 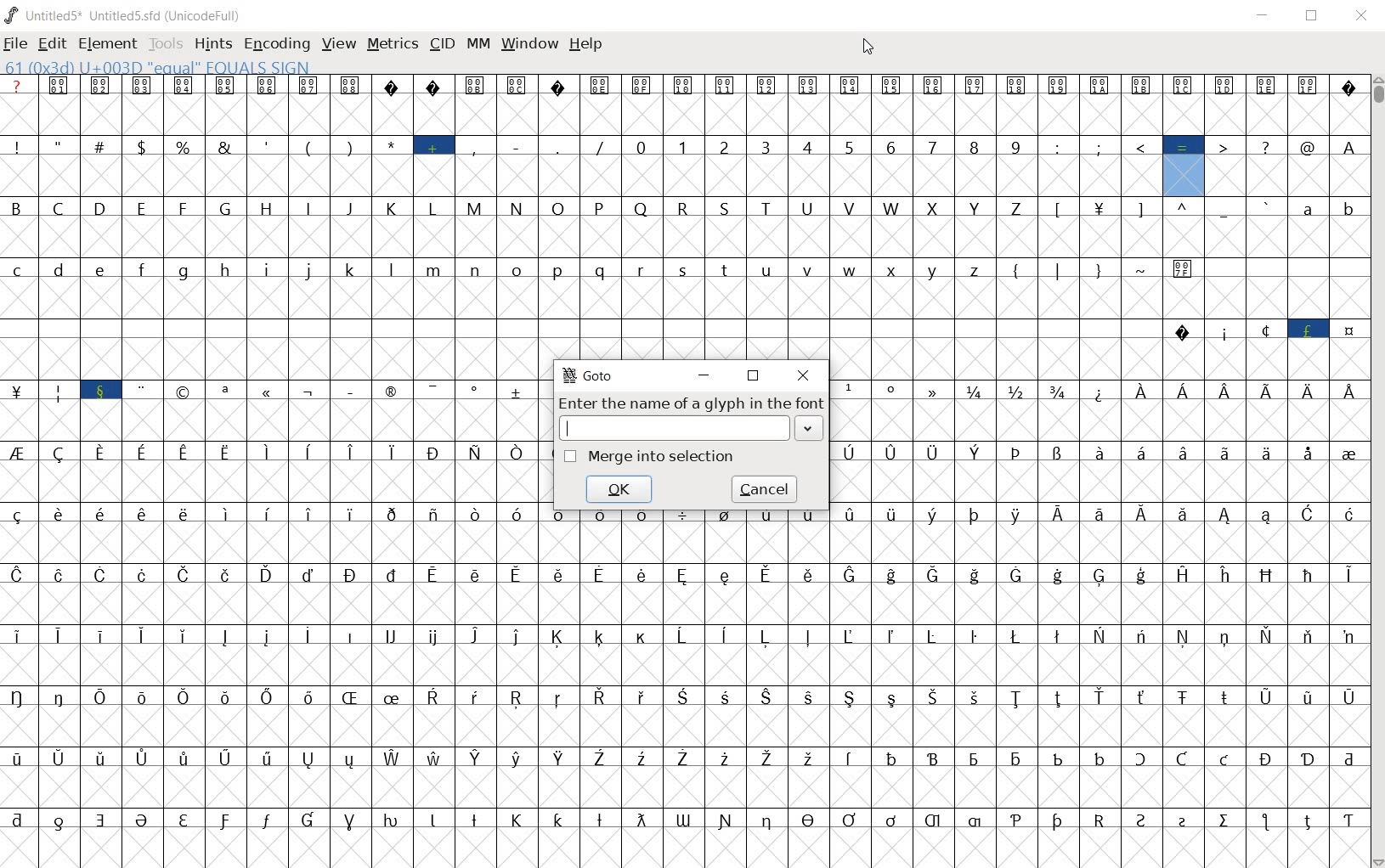 What do you see at coordinates (952, 217) in the screenshot?
I see `glyph characters` at bounding box center [952, 217].